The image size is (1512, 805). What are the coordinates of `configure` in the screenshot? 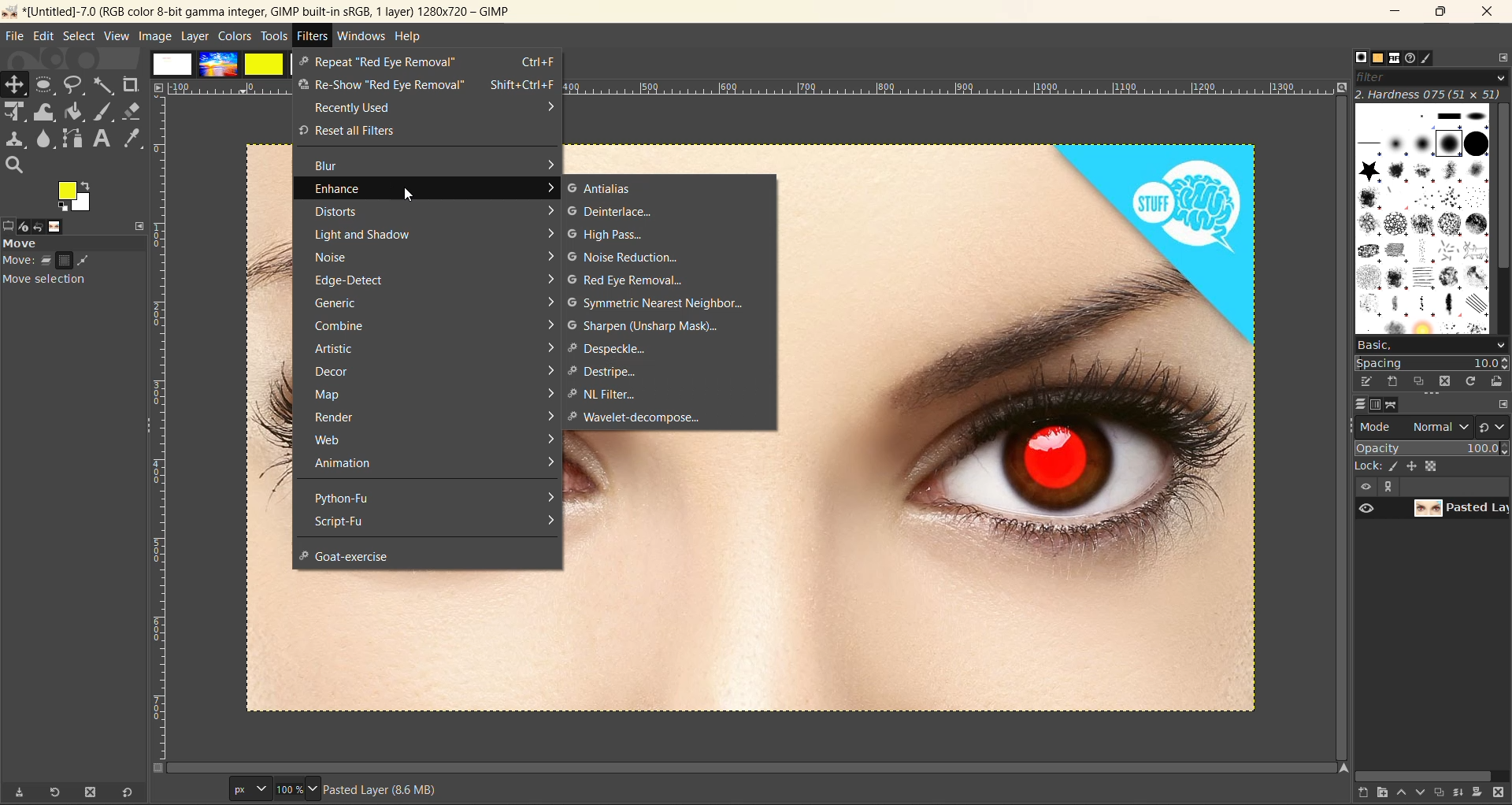 It's located at (139, 226).